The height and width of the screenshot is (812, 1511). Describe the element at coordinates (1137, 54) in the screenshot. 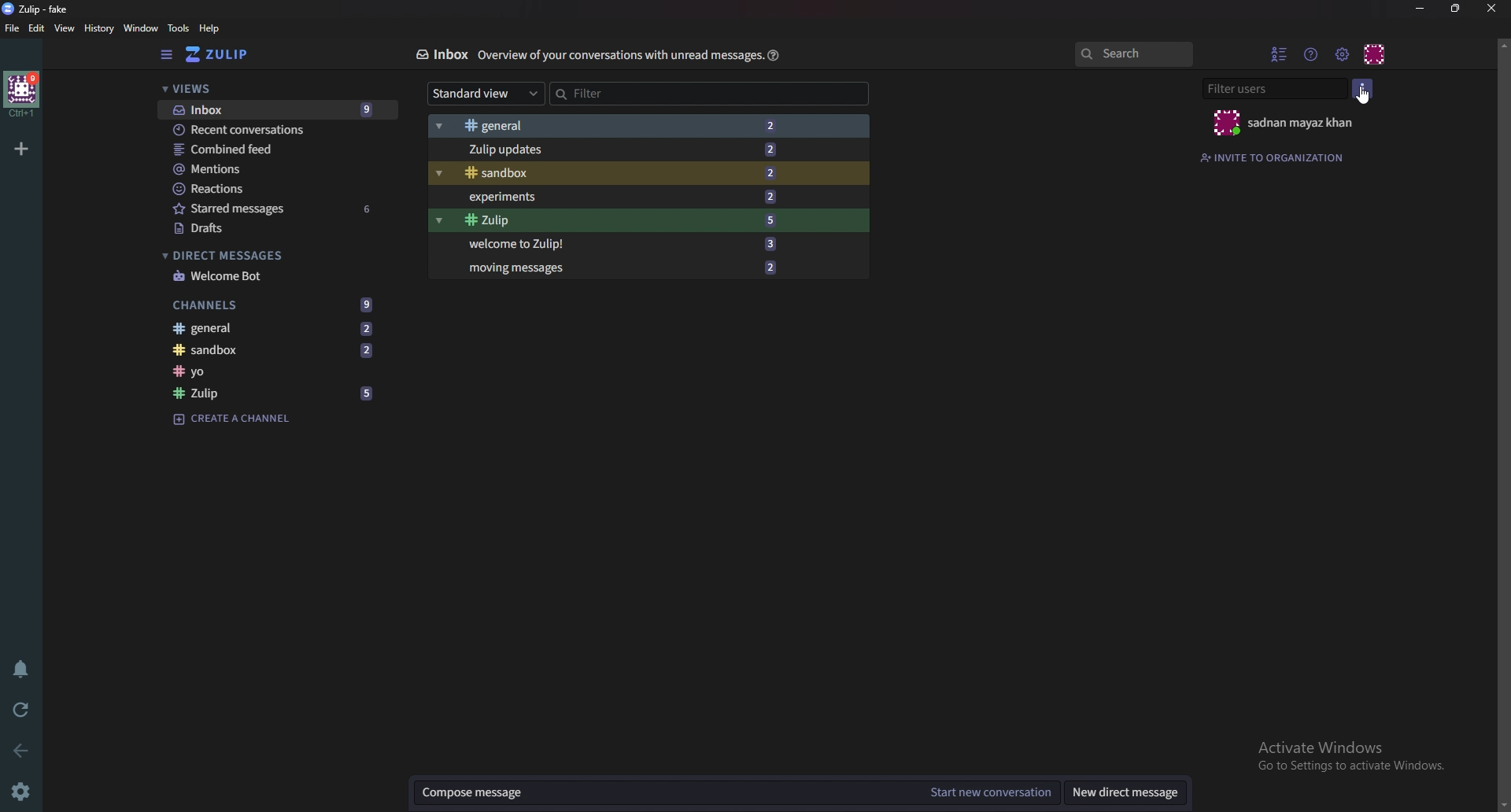

I see `Search` at that location.